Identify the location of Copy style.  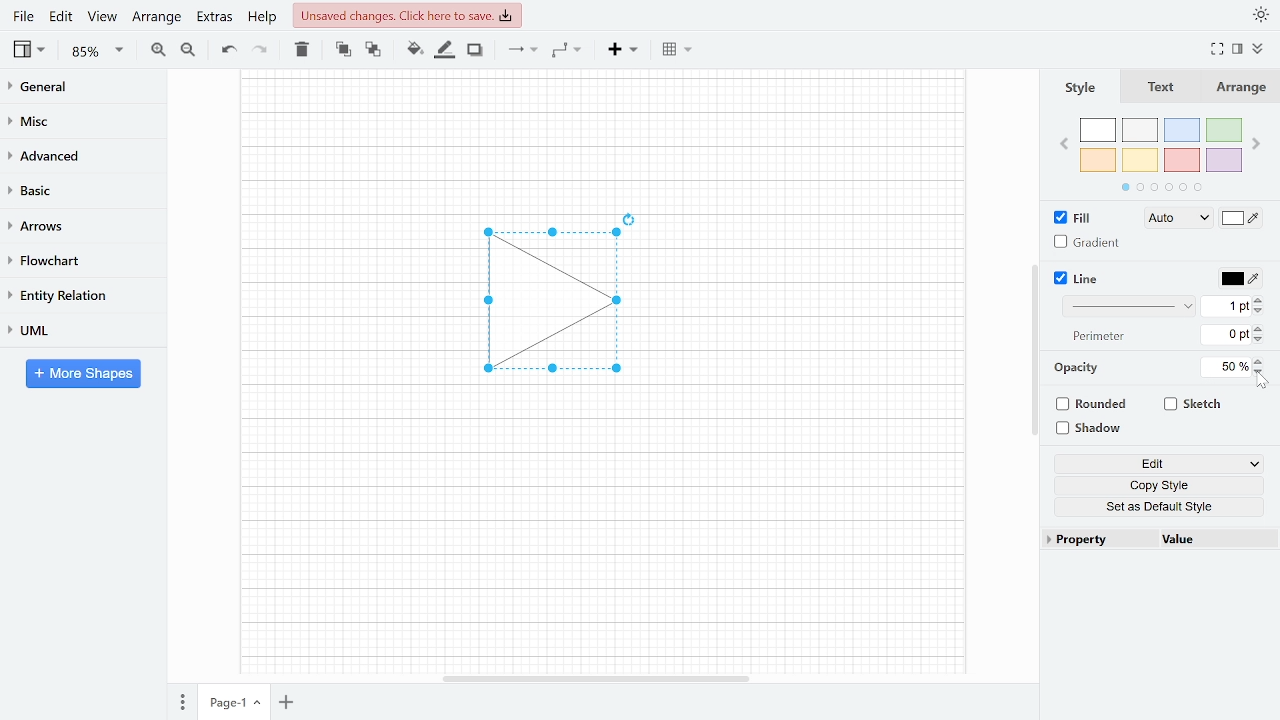
(1163, 486).